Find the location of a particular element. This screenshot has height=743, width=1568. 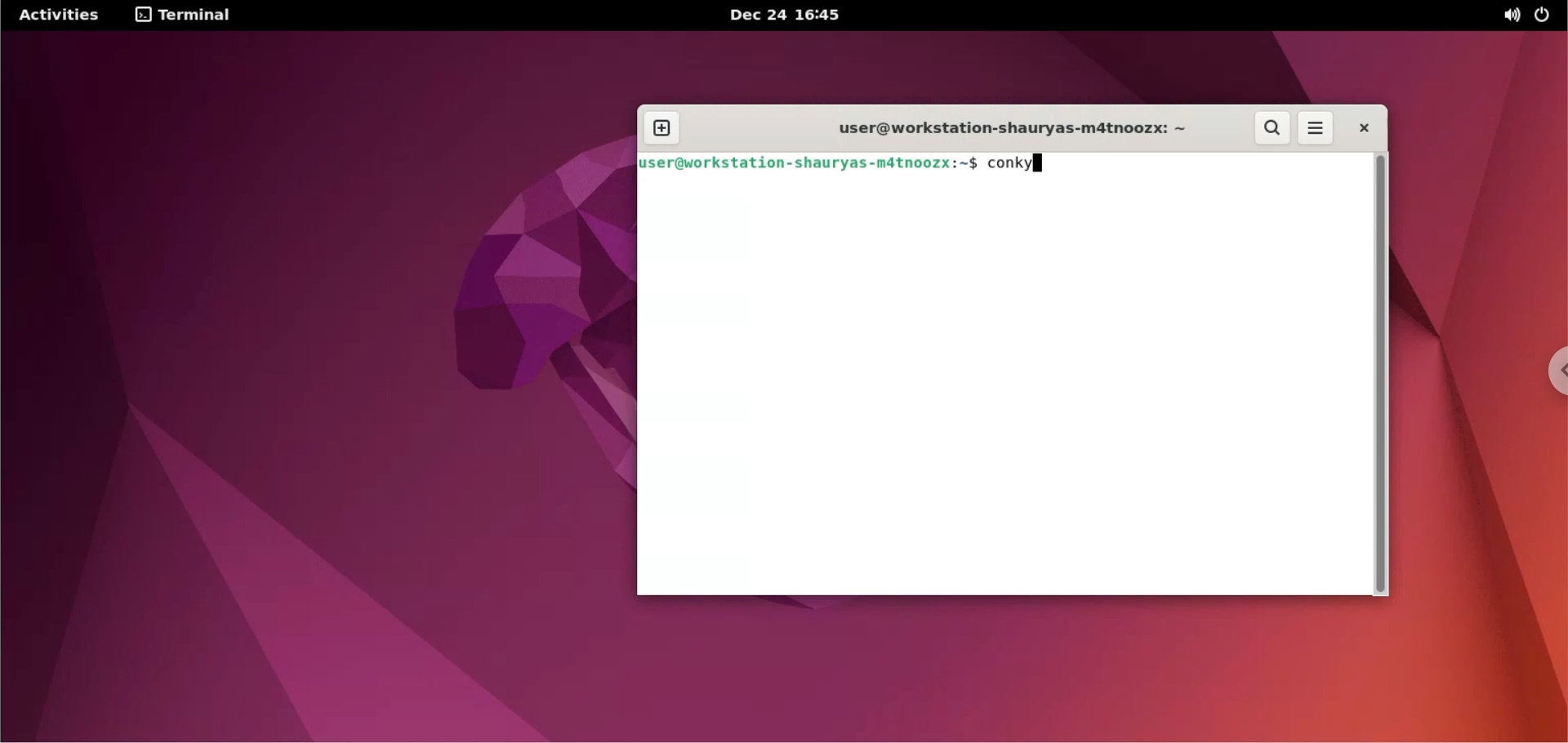

scrollbar is located at coordinates (1380, 373).